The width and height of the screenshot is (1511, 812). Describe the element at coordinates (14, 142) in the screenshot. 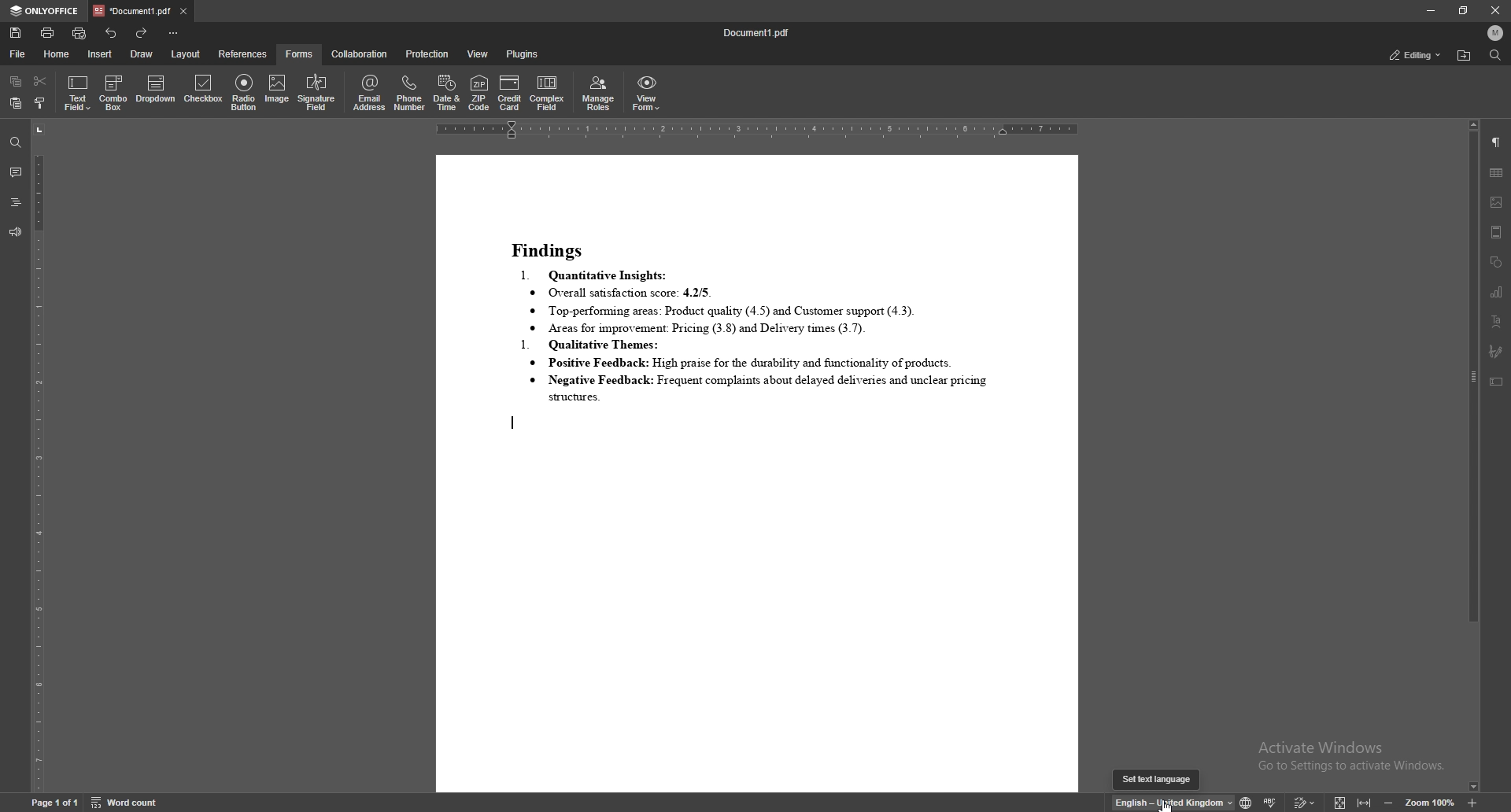

I see `find` at that location.